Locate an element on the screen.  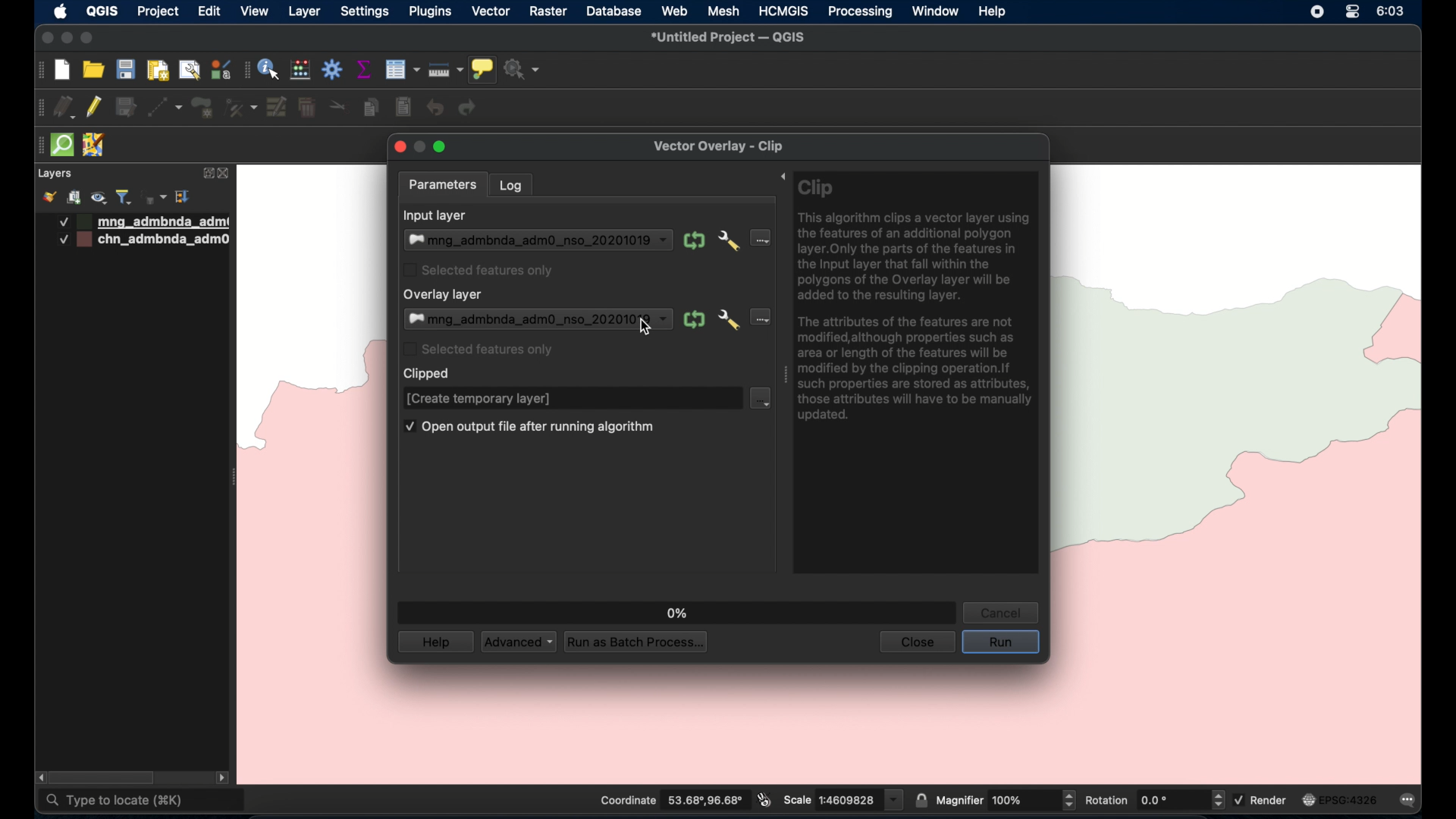
scroll left arrow is located at coordinates (38, 777).